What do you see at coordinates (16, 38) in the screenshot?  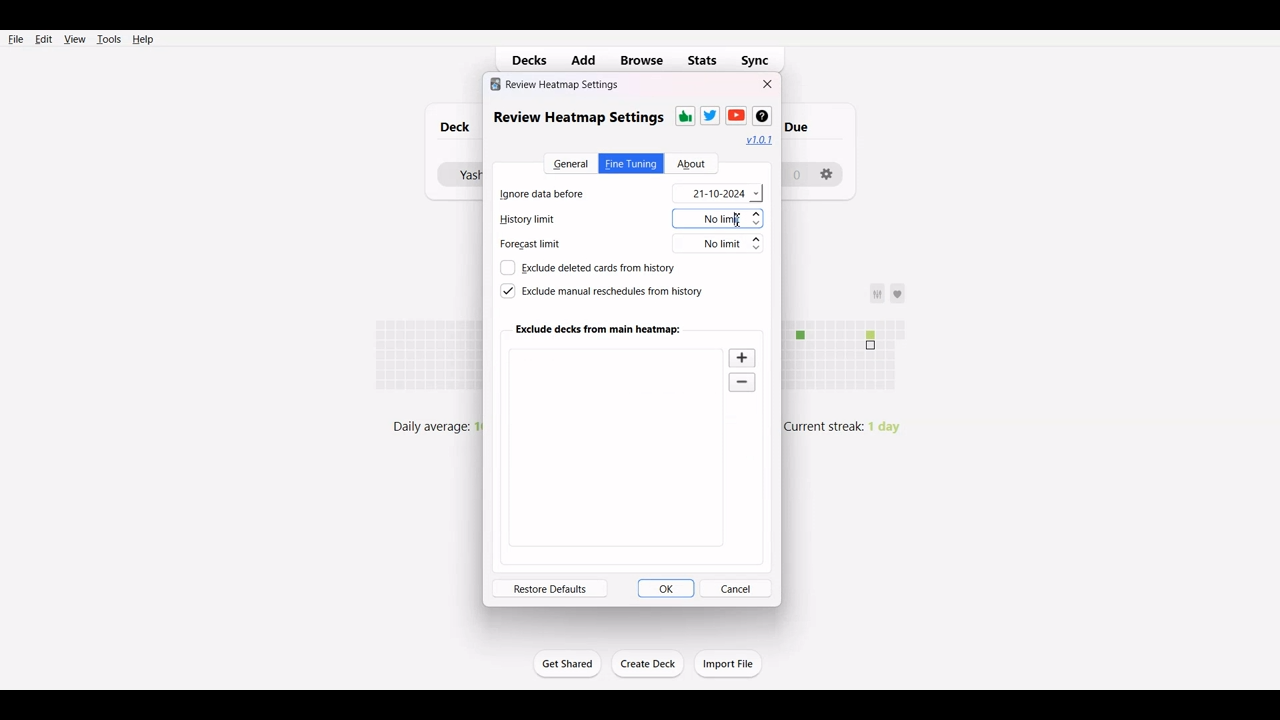 I see `File` at bounding box center [16, 38].